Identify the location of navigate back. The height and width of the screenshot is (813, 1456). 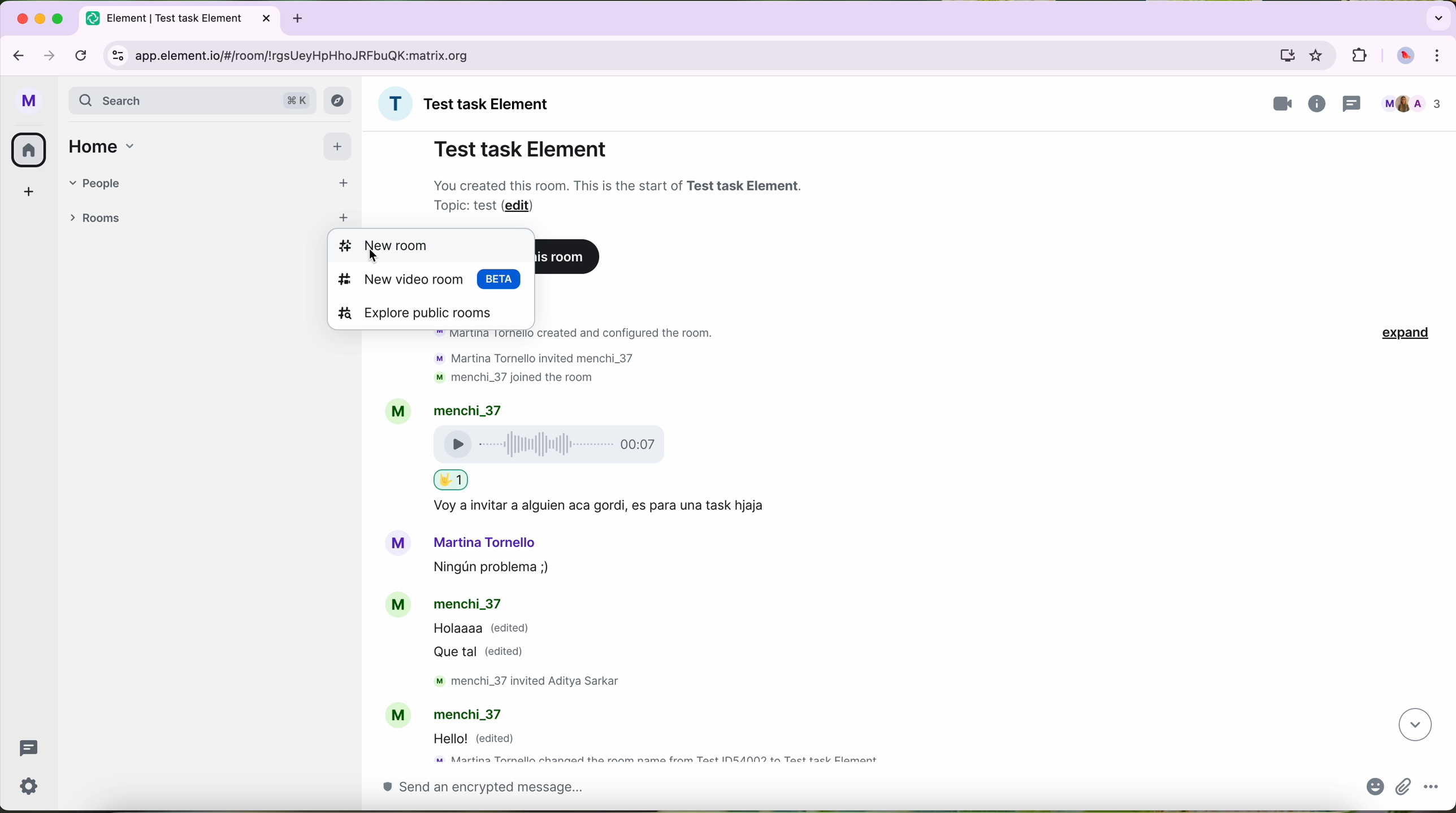
(15, 53).